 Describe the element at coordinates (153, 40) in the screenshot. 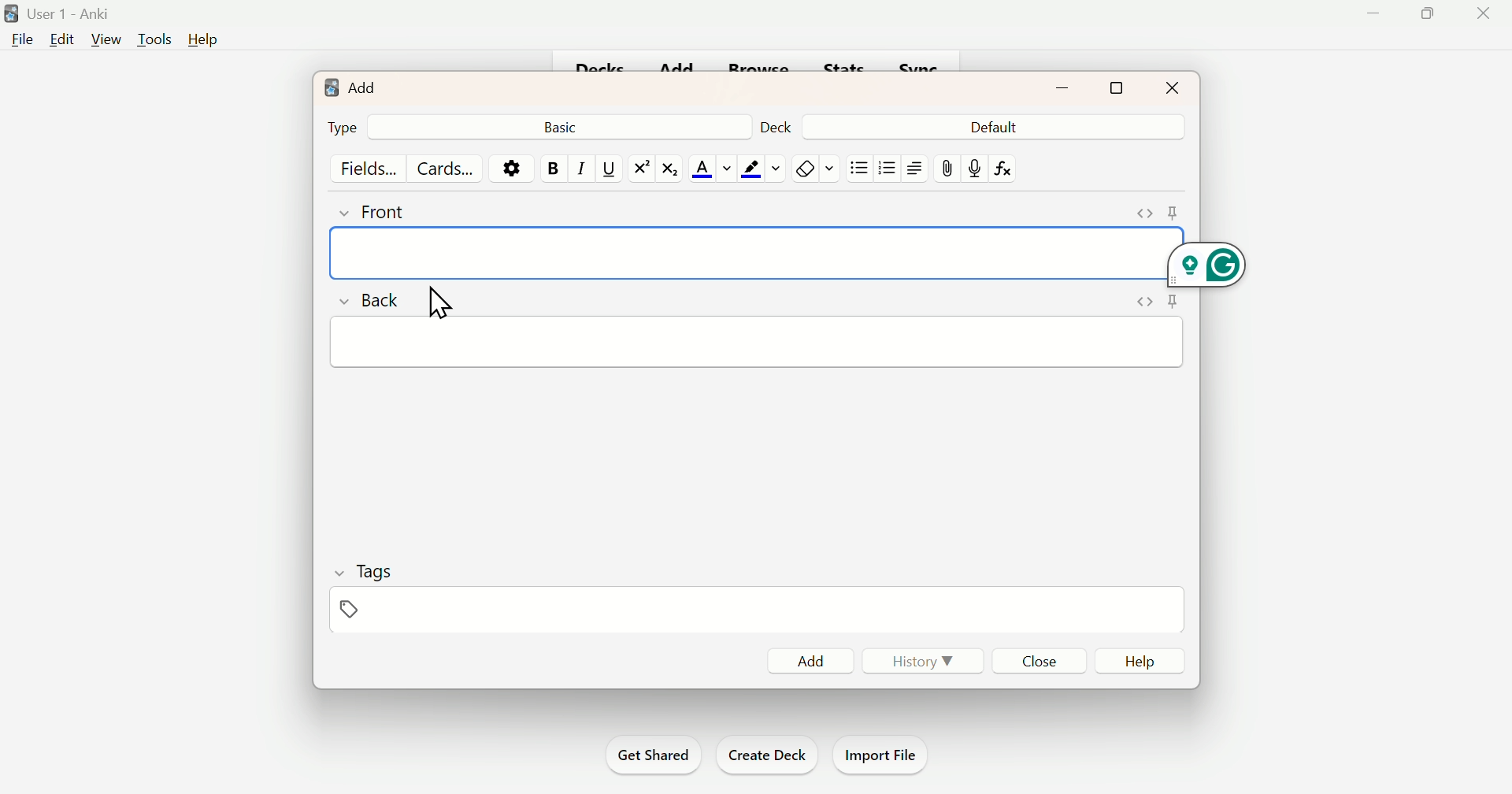

I see `Tools` at that location.